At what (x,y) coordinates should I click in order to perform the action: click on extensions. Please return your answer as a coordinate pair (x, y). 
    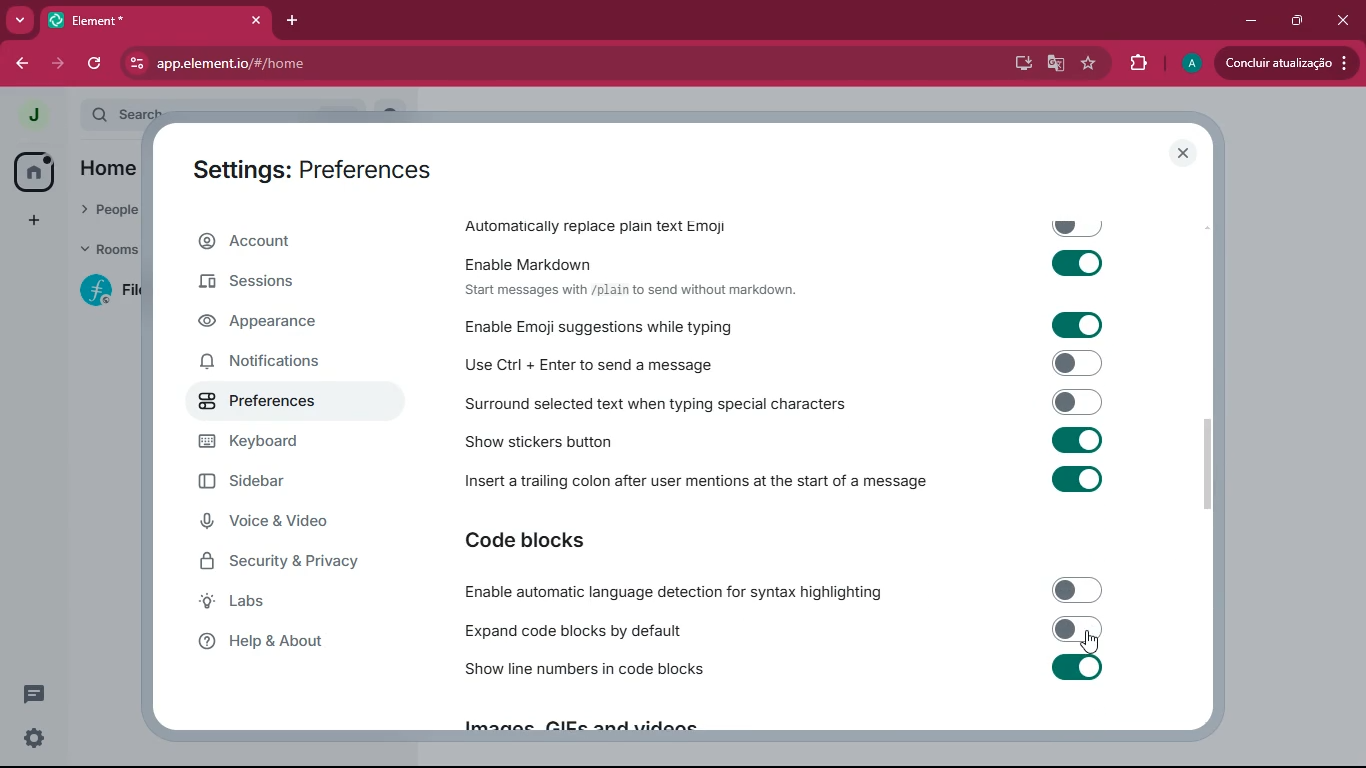
    Looking at the image, I should click on (1134, 63).